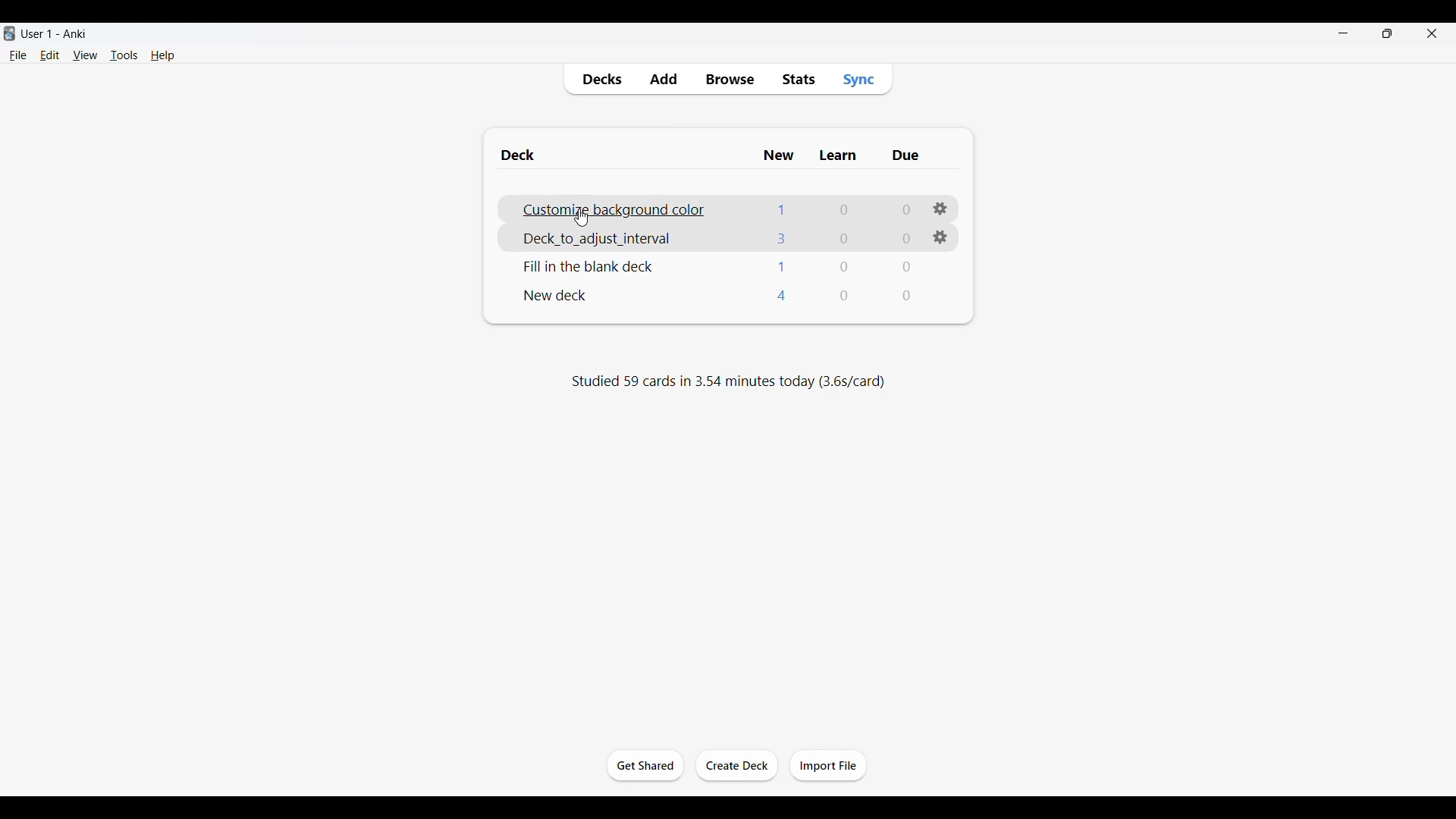 This screenshot has height=819, width=1456. Describe the element at coordinates (843, 209) in the screenshot. I see `Details specific to each column and deck` at that location.